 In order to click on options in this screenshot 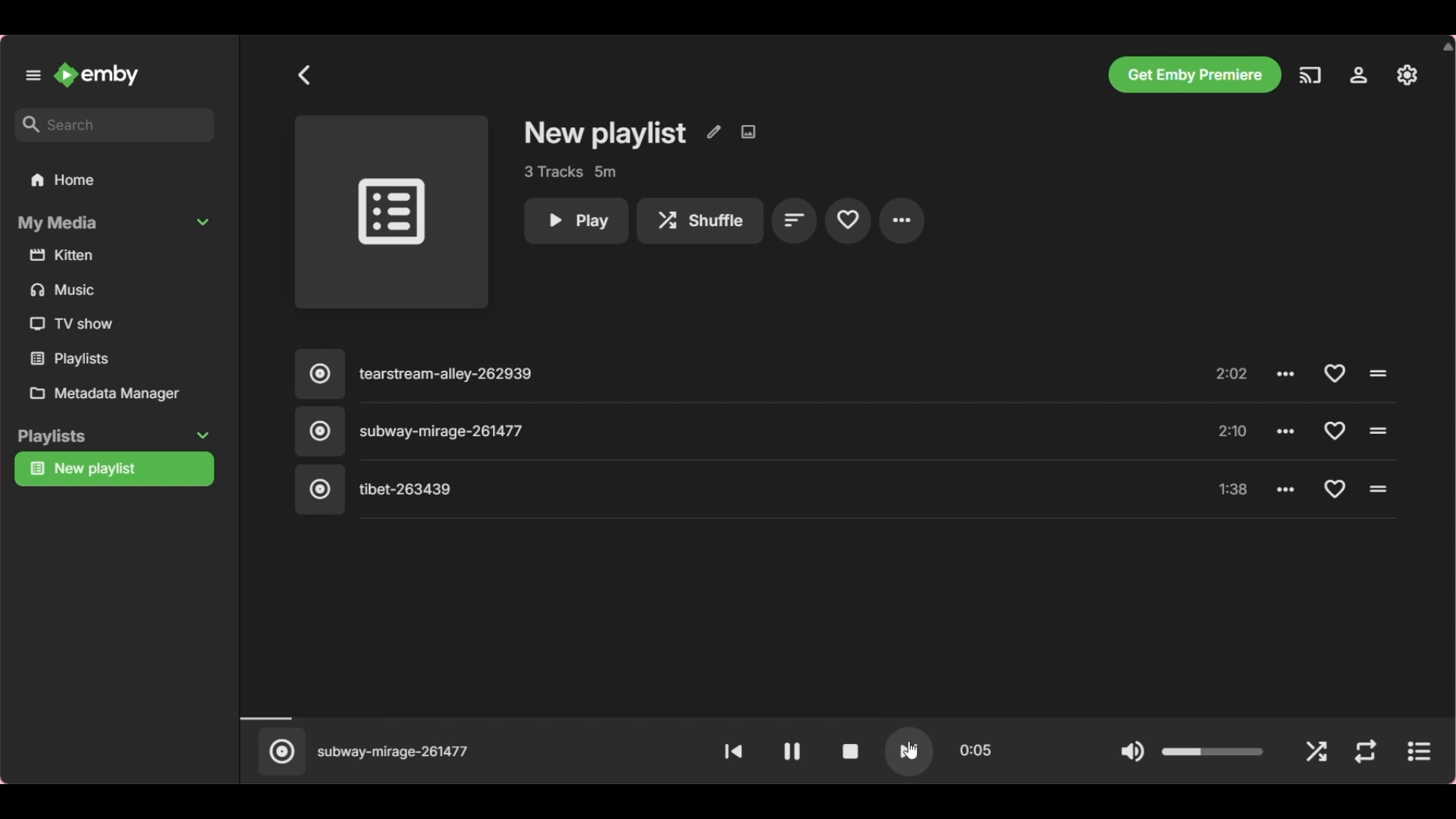, I will do `click(1286, 433)`.